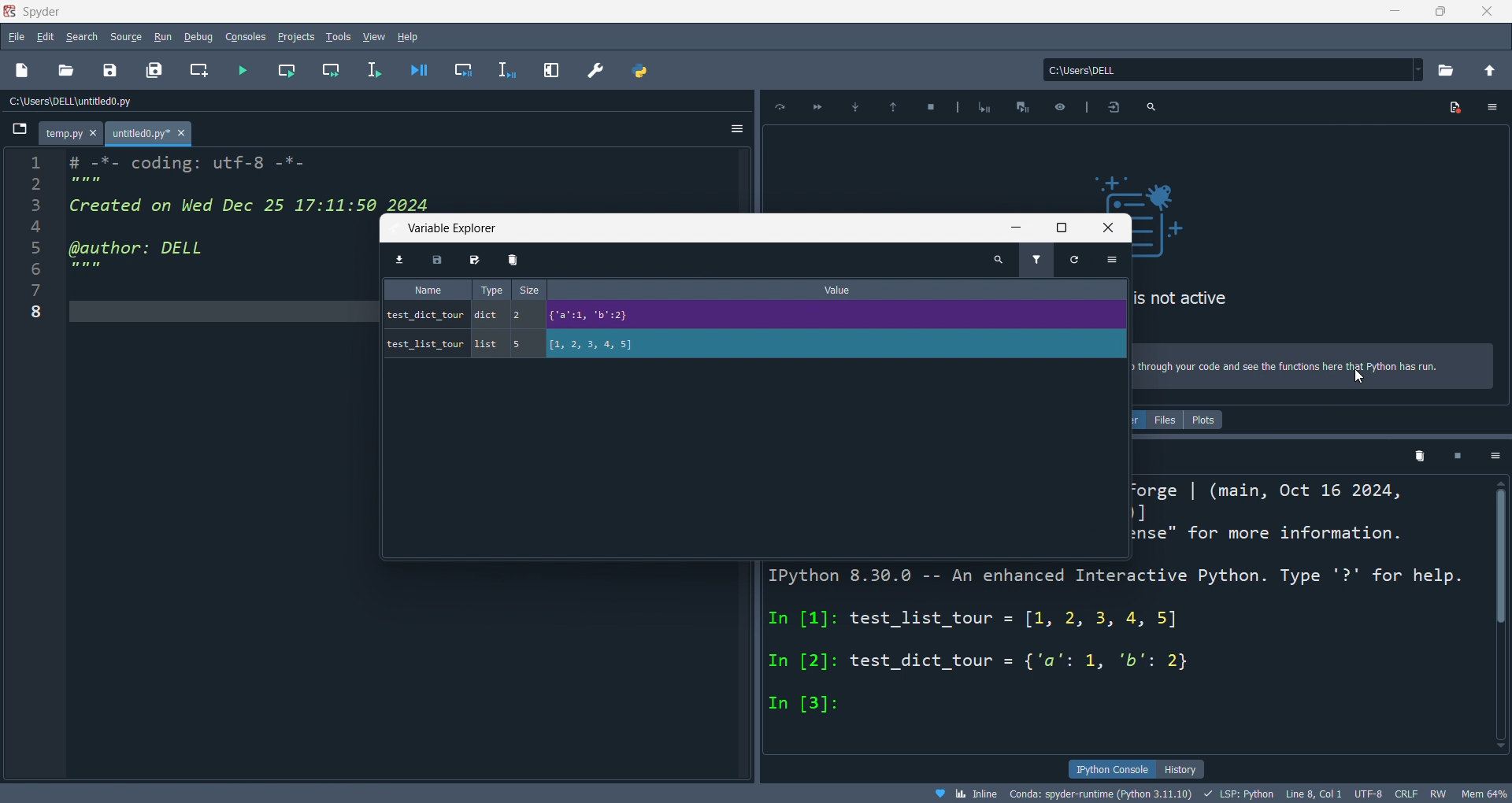  I want to click on debug file, so click(418, 71).